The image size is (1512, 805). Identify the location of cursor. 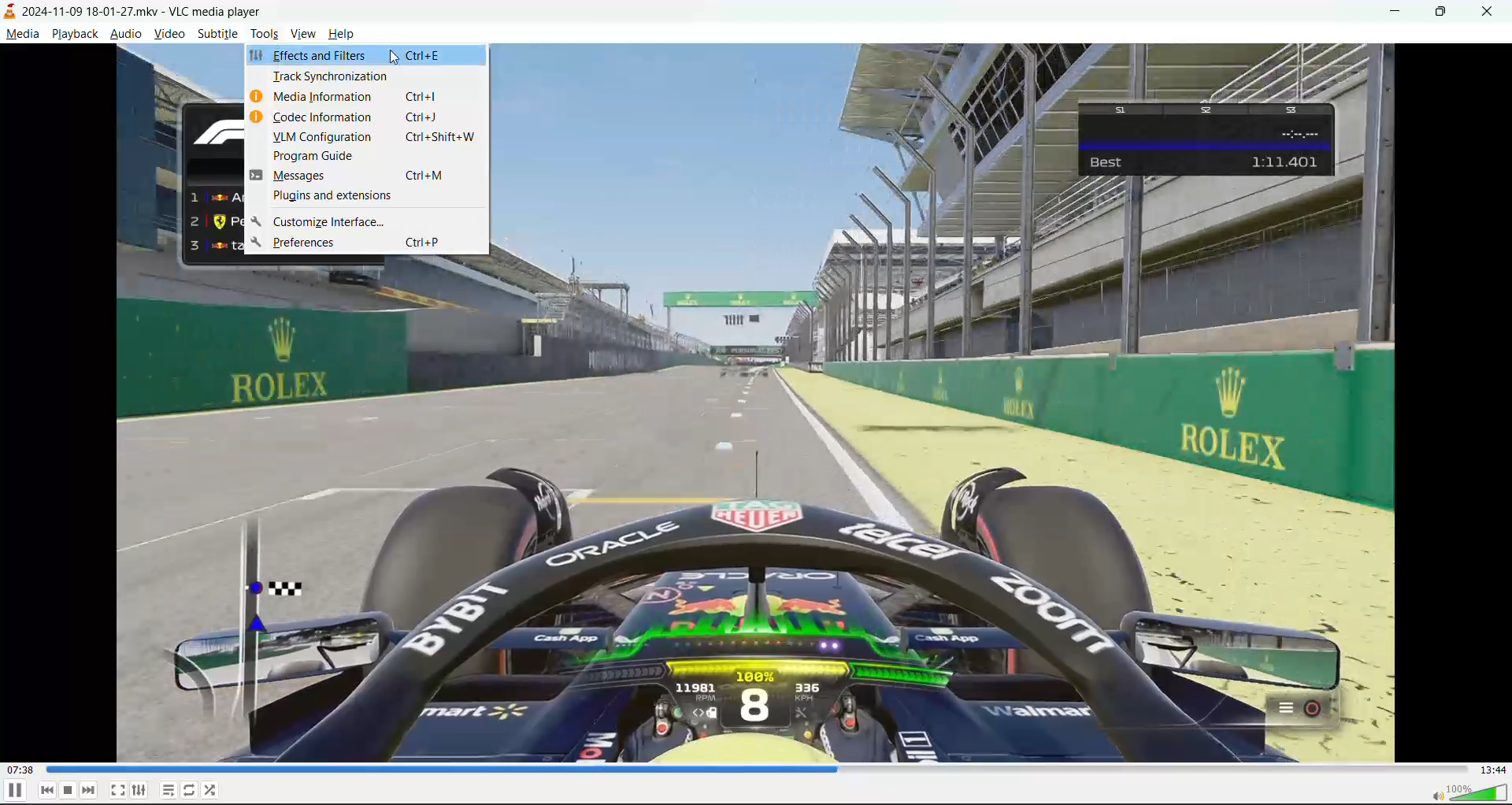
(395, 57).